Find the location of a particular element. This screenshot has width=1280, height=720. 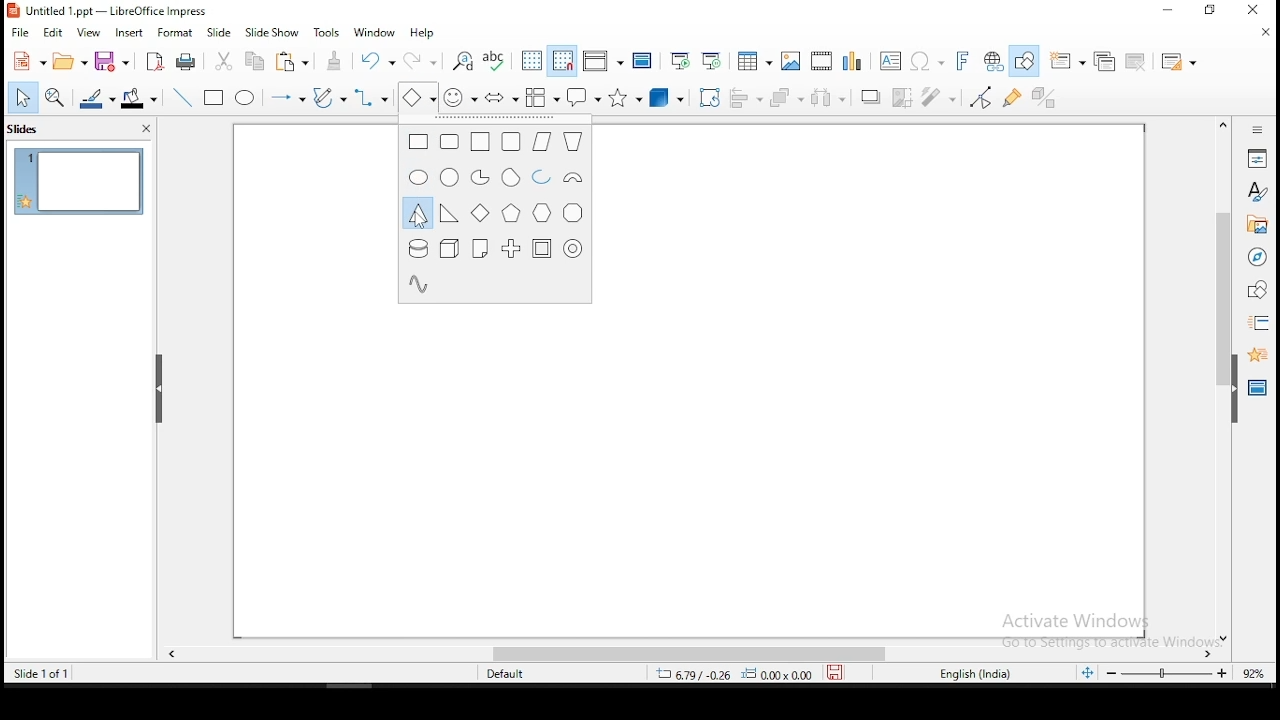

icon and file name is located at coordinates (111, 11).